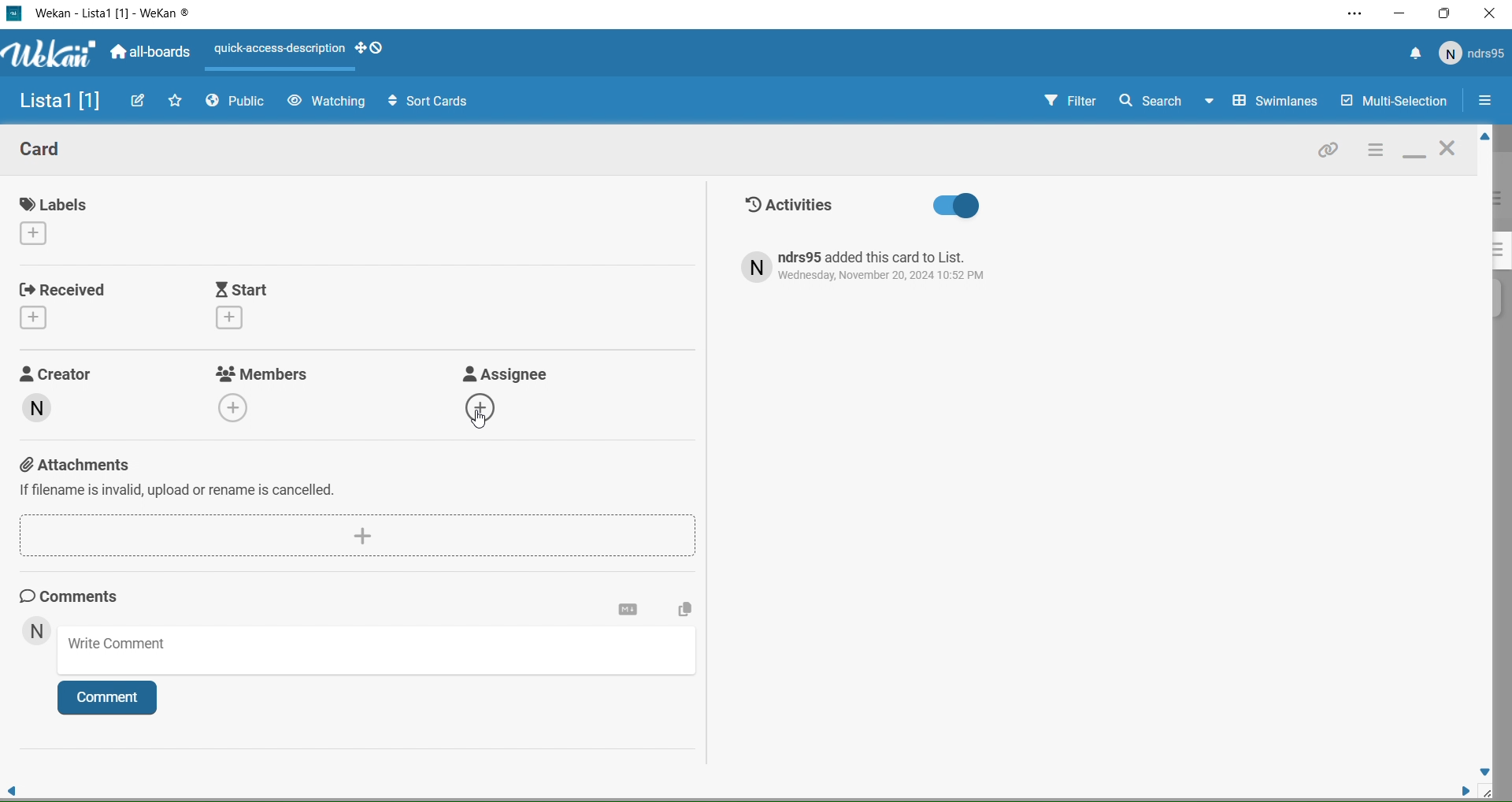 This screenshot has width=1512, height=802. I want to click on options, so click(1374, 151).